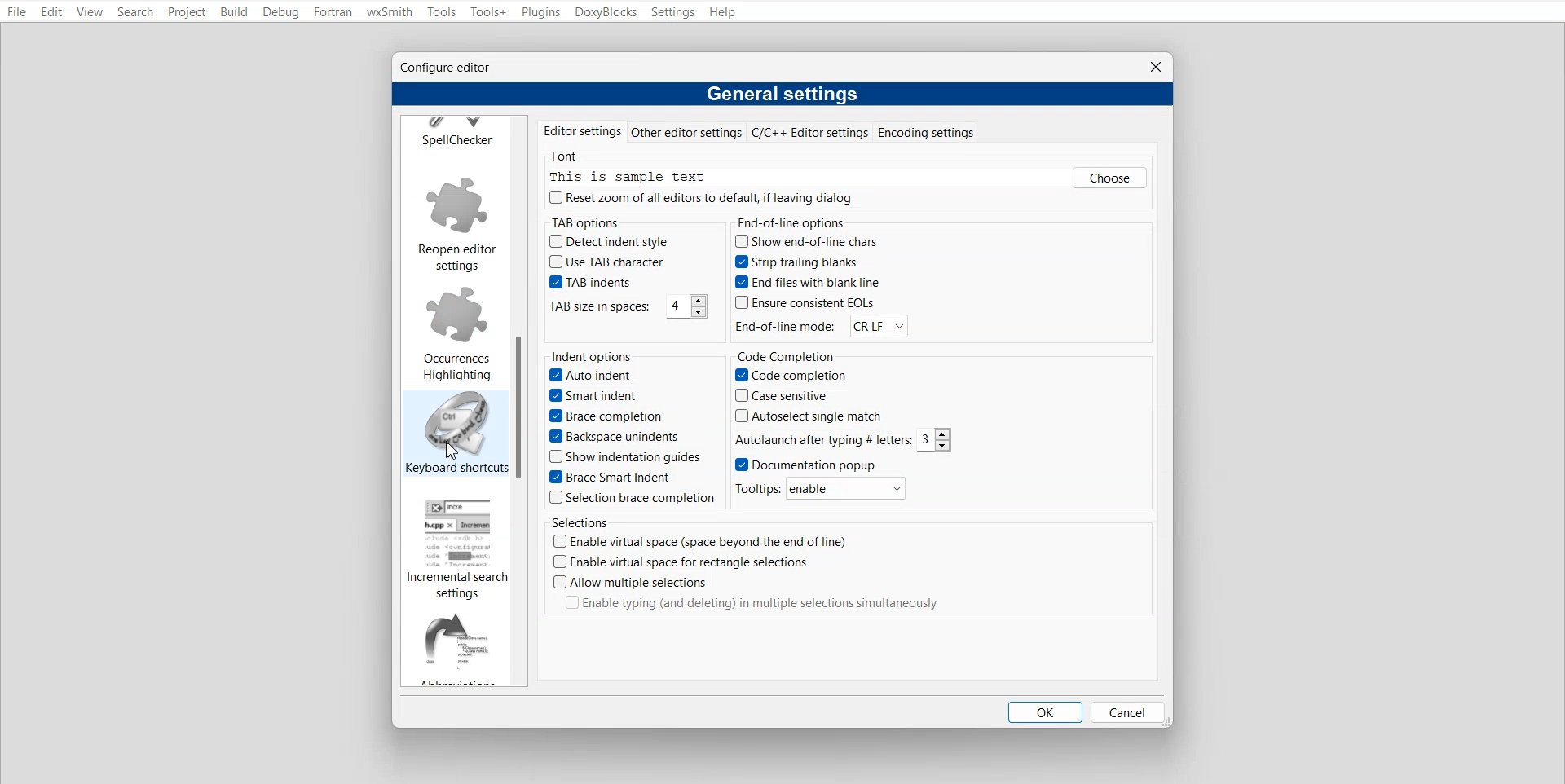  I want to click on Fortran, so click(332, 11).